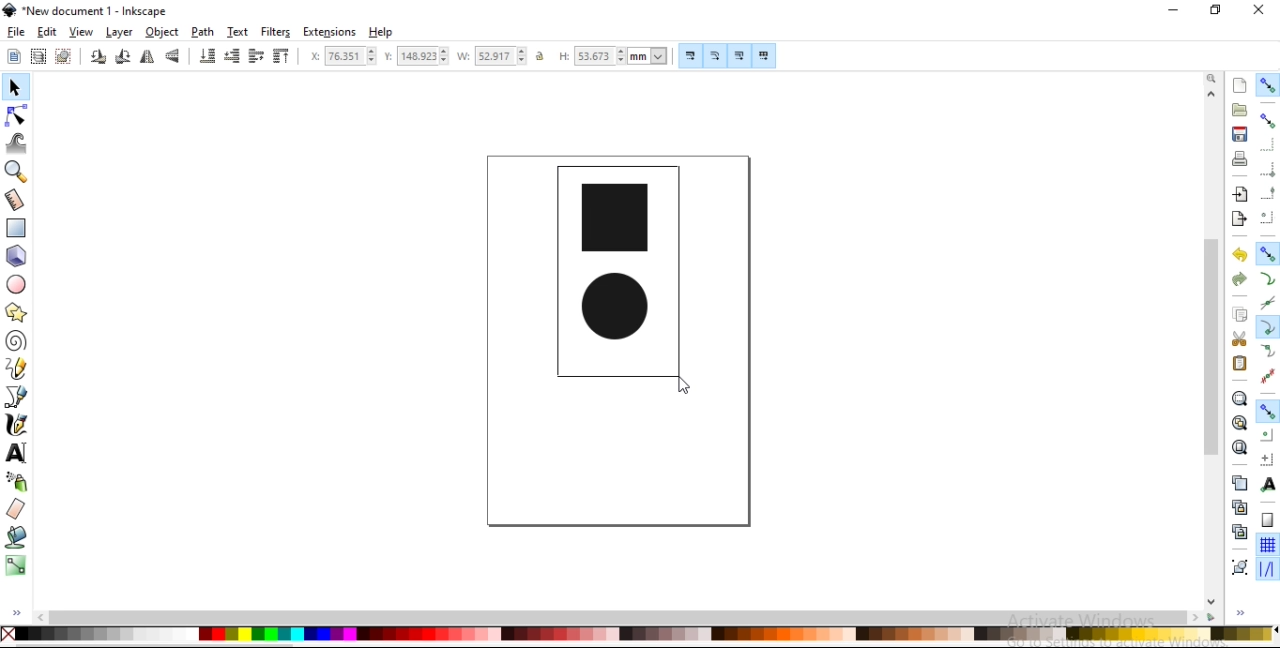  Describe the element at coordinates (1240, 447) in the screenshot. I see `zoom to fit page` at that location.